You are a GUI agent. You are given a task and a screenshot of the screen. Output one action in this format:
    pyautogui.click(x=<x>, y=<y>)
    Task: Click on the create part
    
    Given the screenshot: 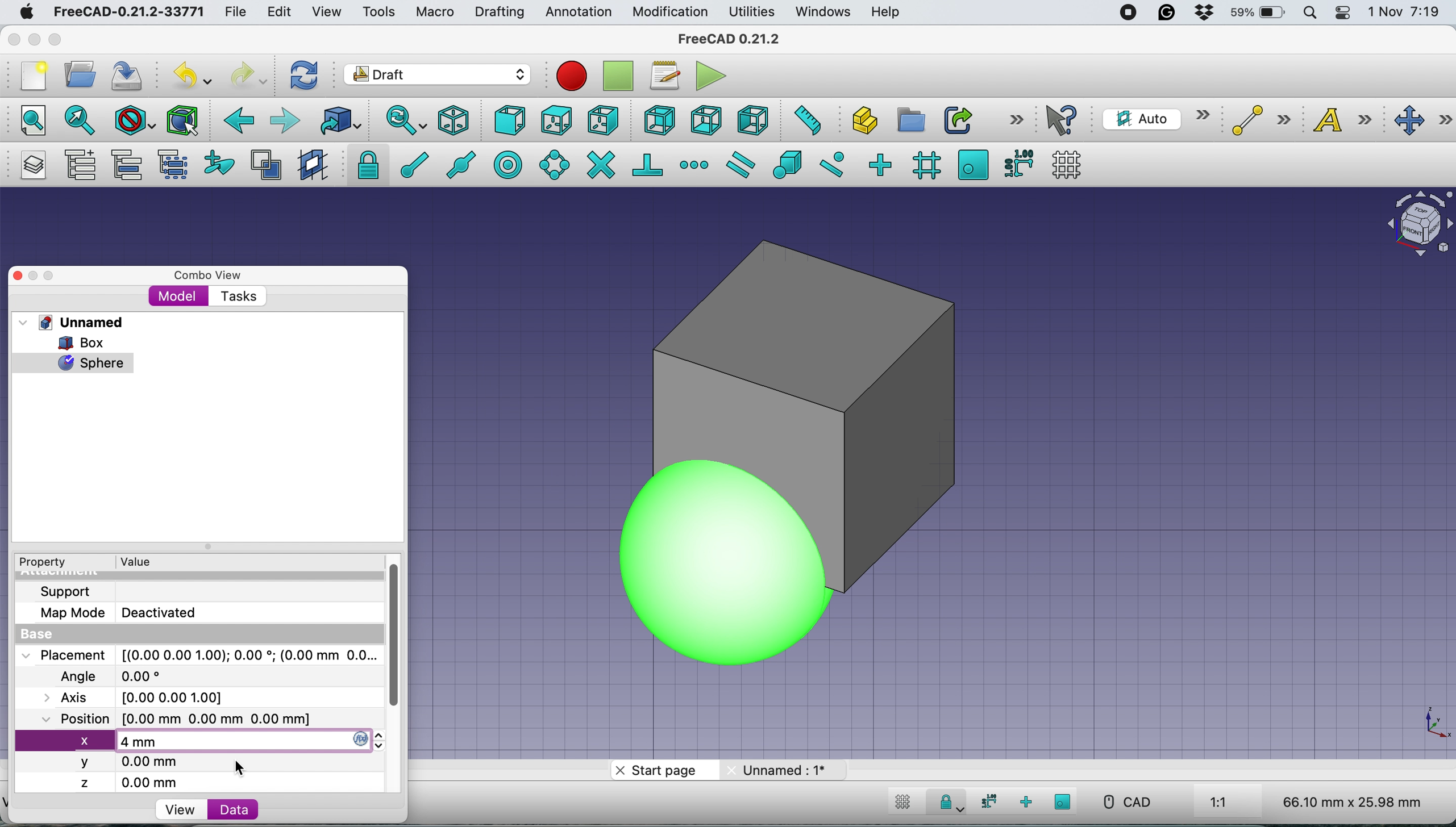 What is the action you would take?
    pyautogui.click(x=861, y=122)
    